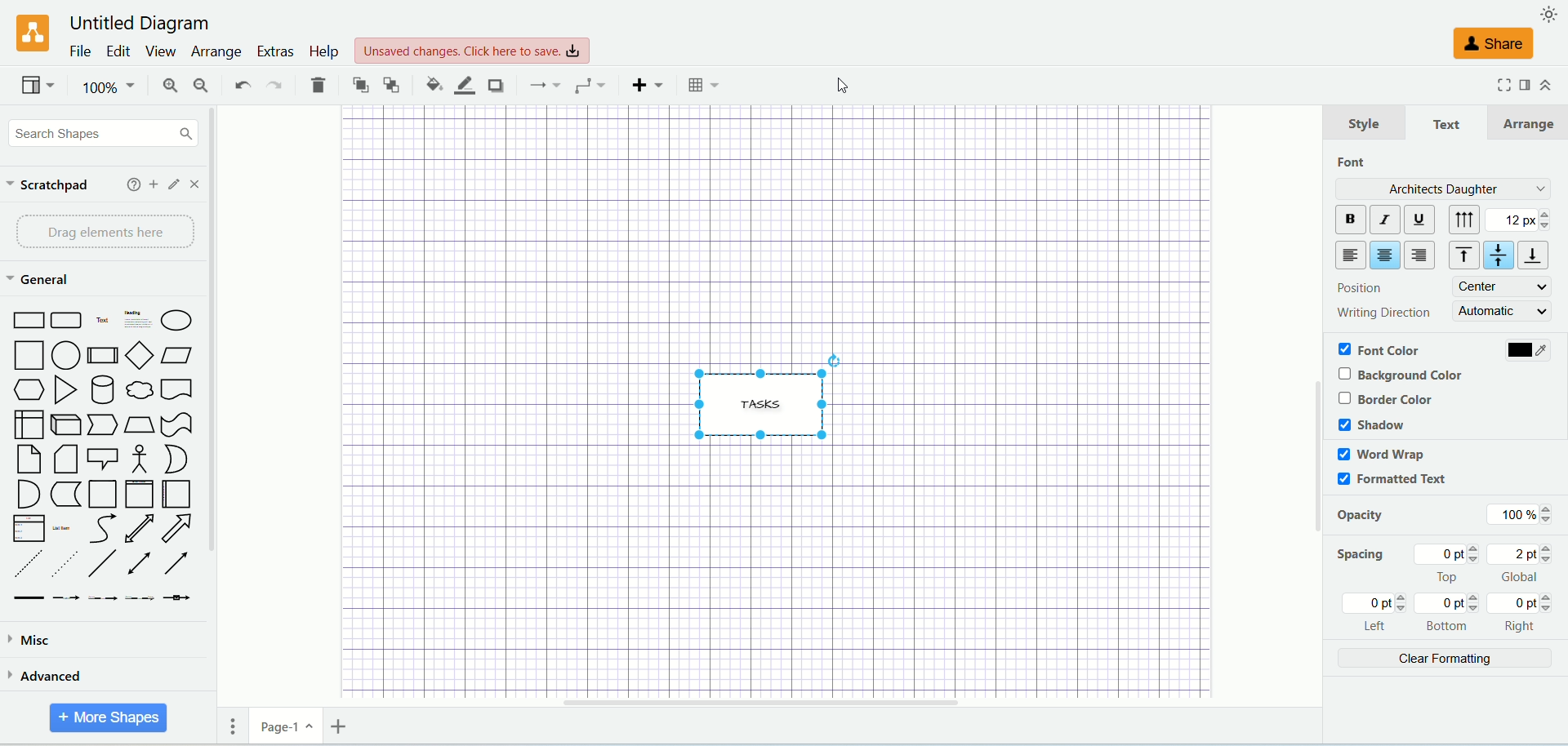 Image resolution: width=1568 pixels, height=746 pixels. I want to click on share, so click(1495, 45).